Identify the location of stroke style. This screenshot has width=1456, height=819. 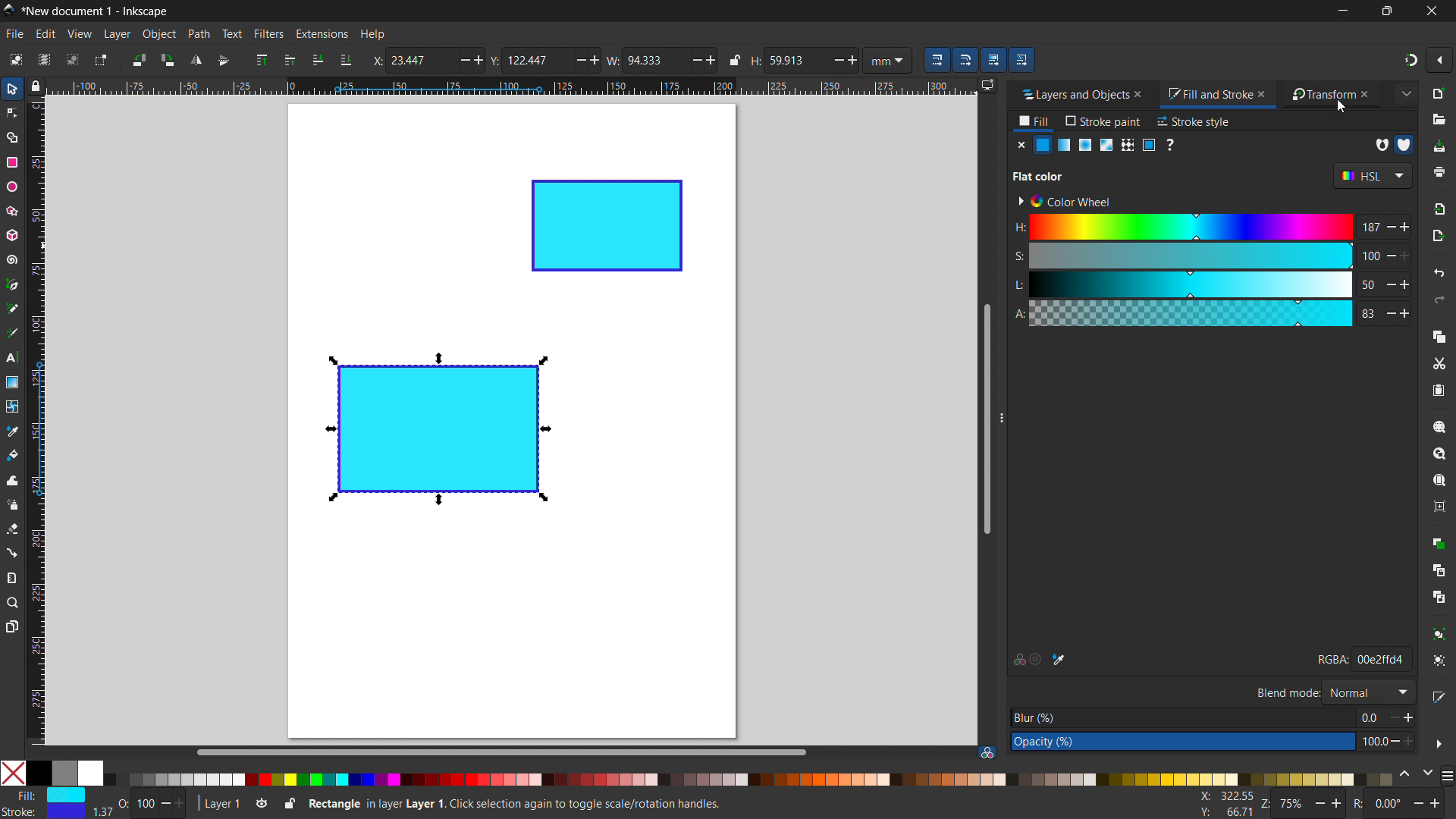
(1194, 121).